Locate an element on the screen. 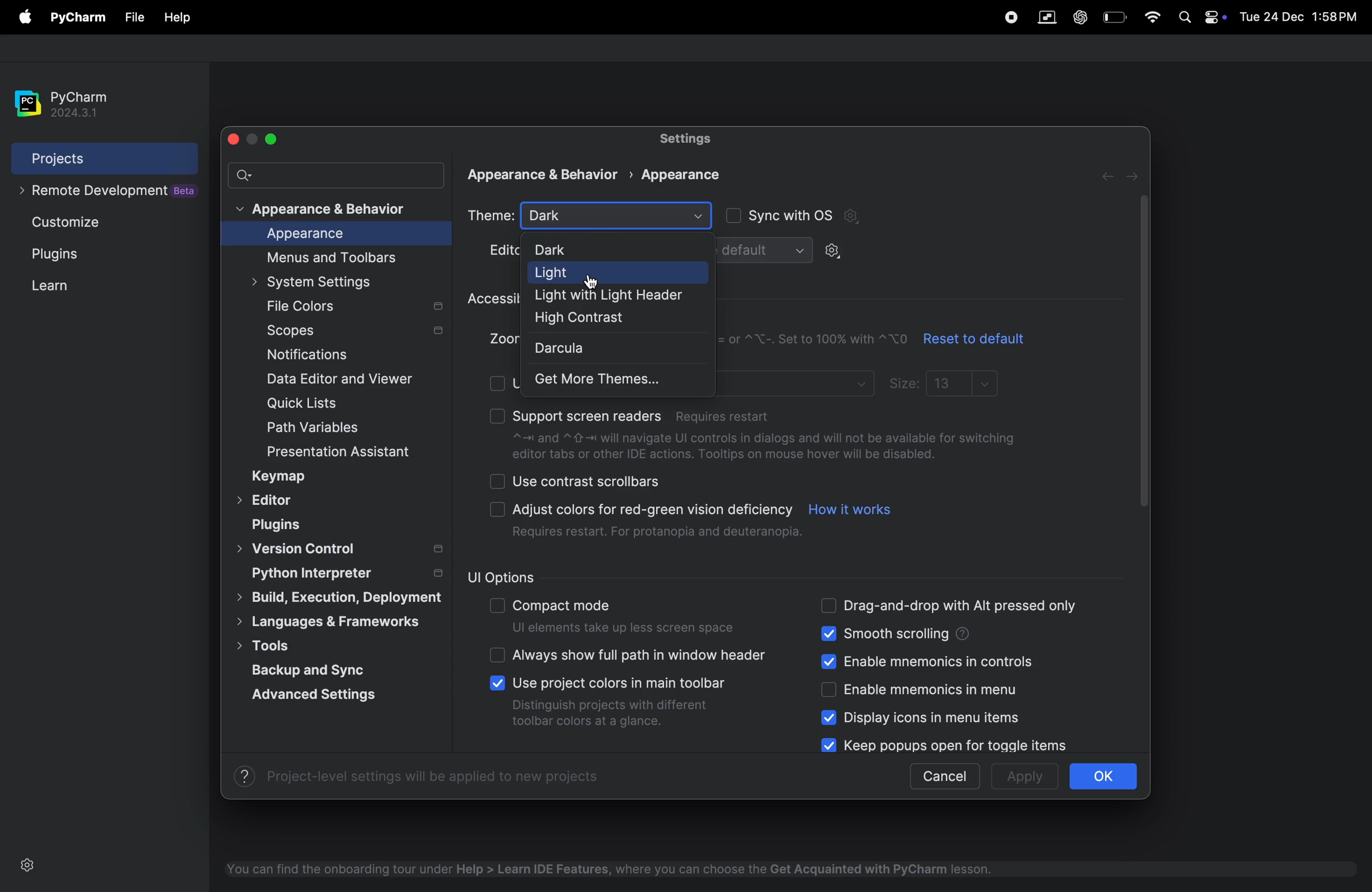 This screenshot has height=892, width=1372. Project-level settings will be applied to new projects. is located at coordinates (439, 777).